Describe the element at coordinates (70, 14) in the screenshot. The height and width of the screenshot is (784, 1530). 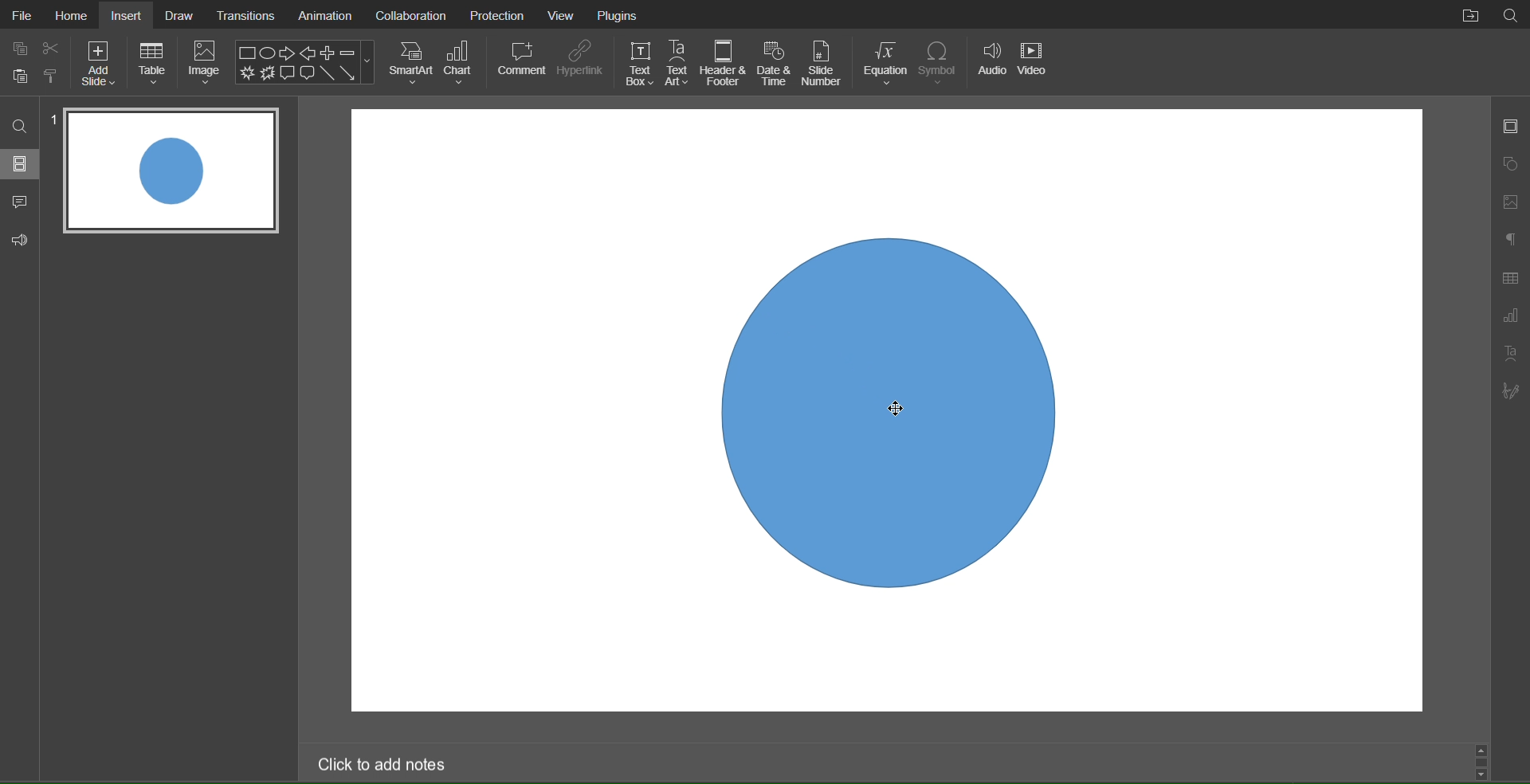
I see `Home` at that location.